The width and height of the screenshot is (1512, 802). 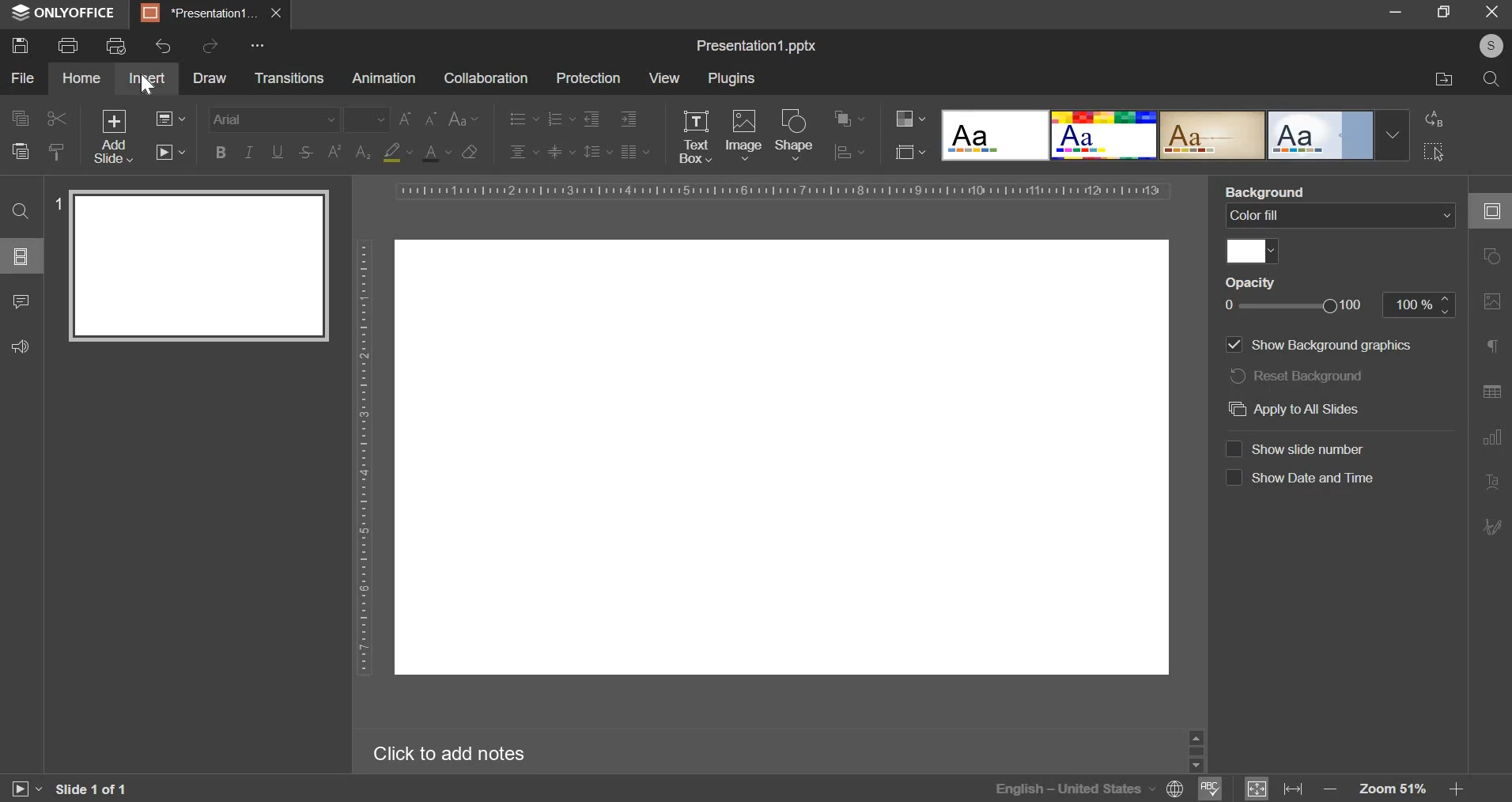 What do you see at coordinates (1457, 790) in the screenshot?
I see `zoom in` at bounding box center [1457, 790].